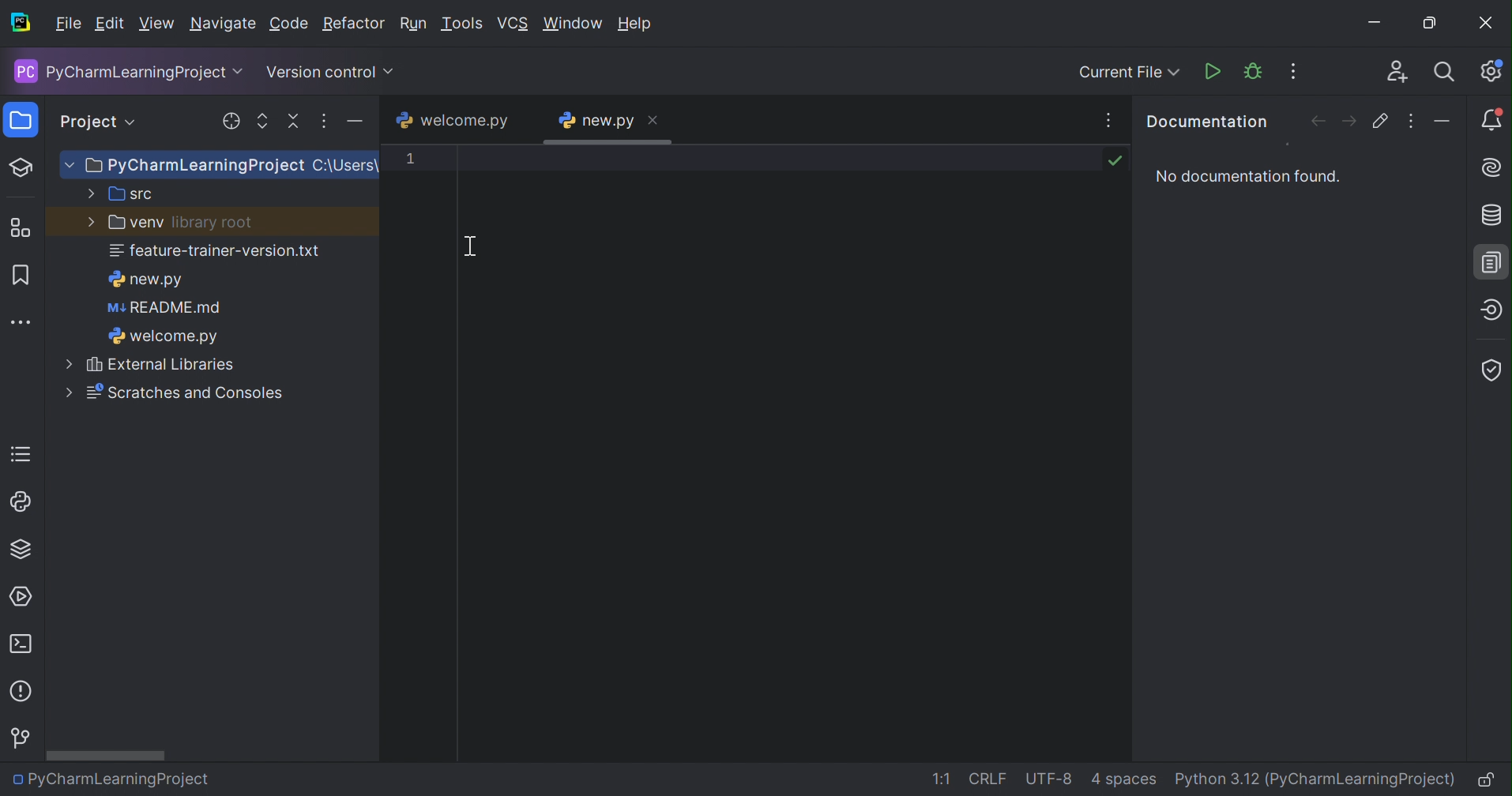 The height and width of the screenshot is (796, 1512). Describe the element at coordinates (1254, 71) in the screenshot. I see `Debug 'new.py'` at that location.